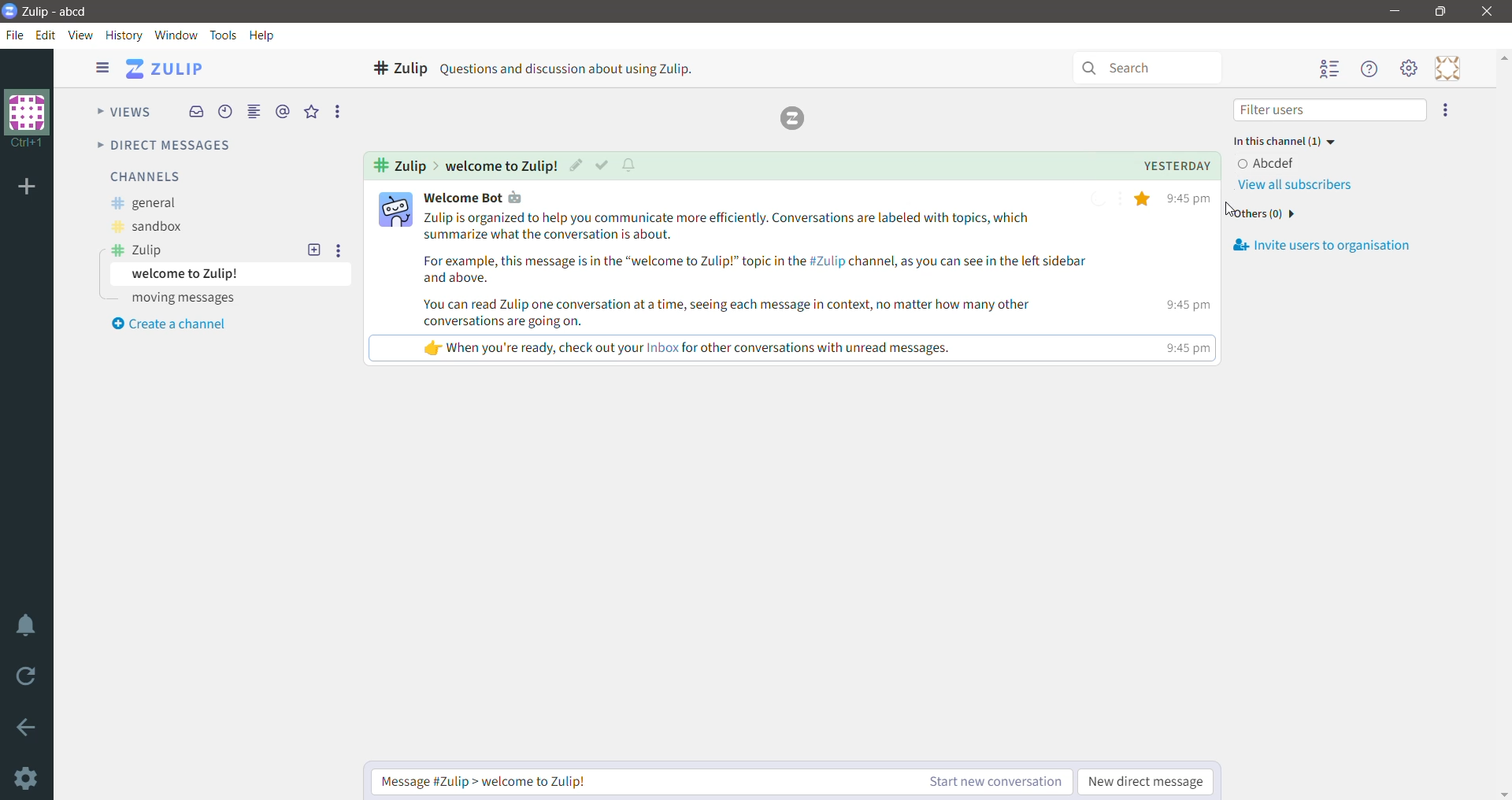 This screenshot has height=800, width=1512. What do you see at coordinates (394, 209) in the screenshot?
I see `Profile pic` at bounding box center [394, 209].